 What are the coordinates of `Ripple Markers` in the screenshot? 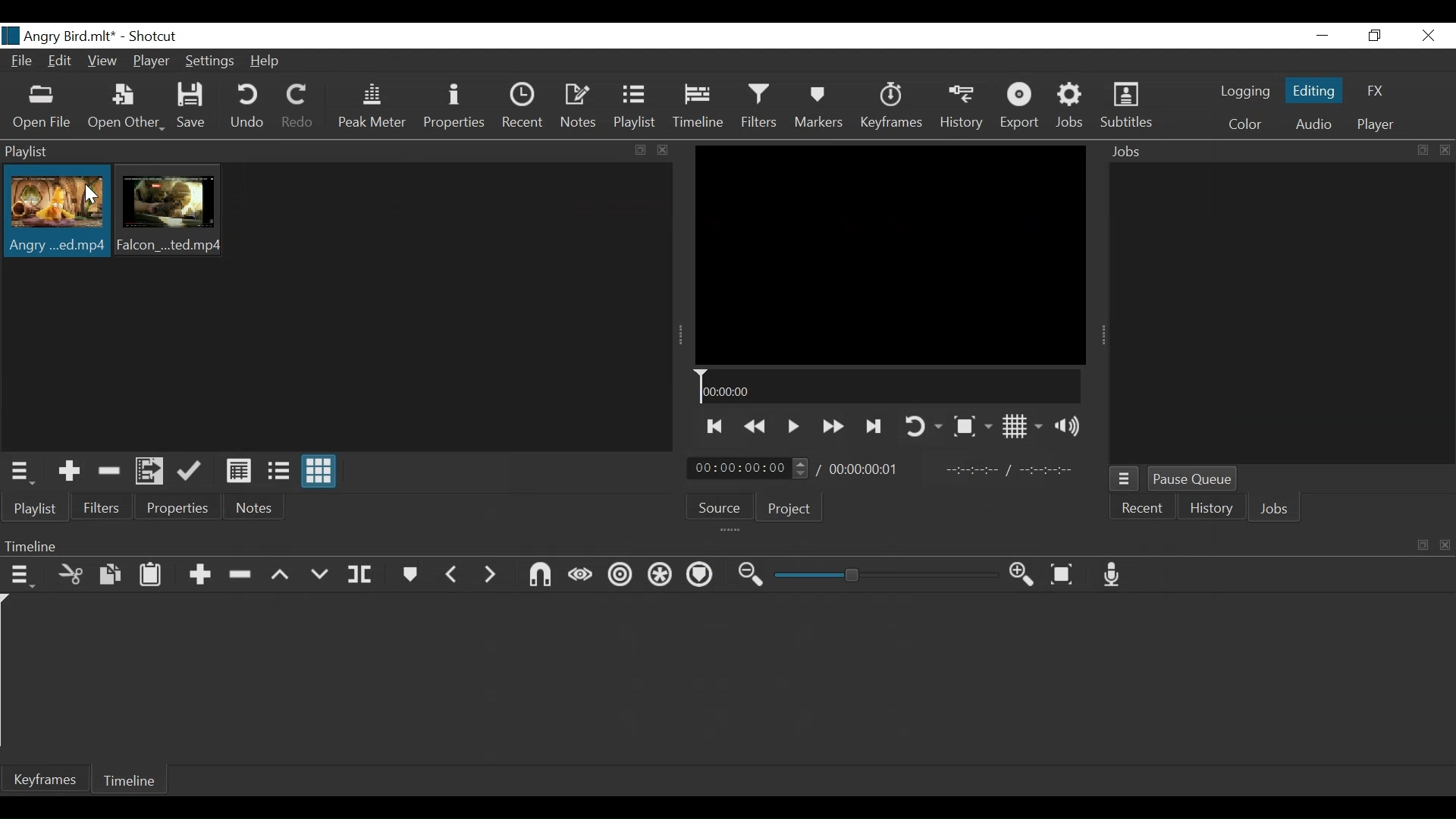 It's located at (702, 578).